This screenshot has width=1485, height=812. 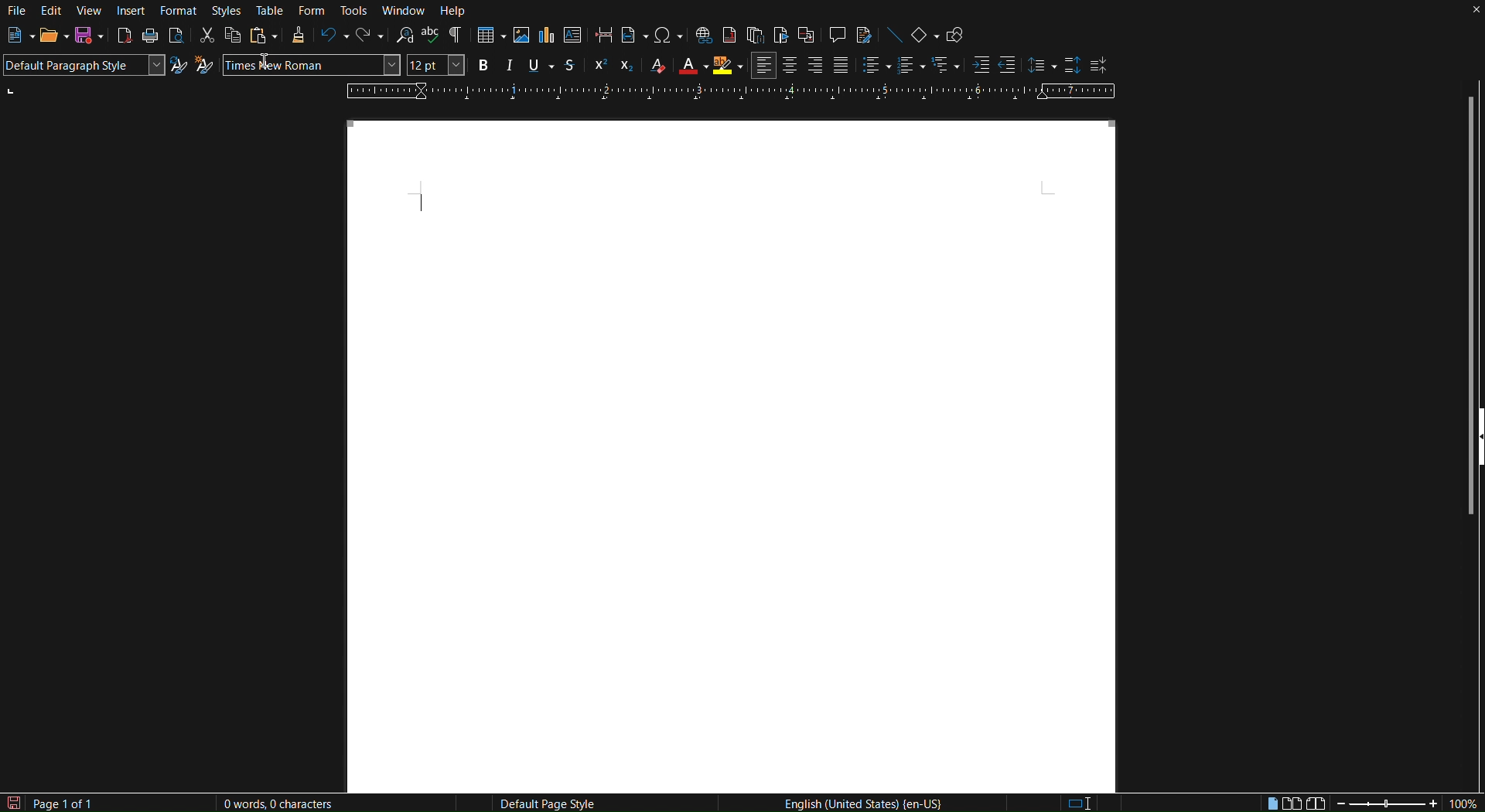 What do you see at coordinates (510, 65) in the screenshot?
I see `Italics` at bounding box center [510, 65].